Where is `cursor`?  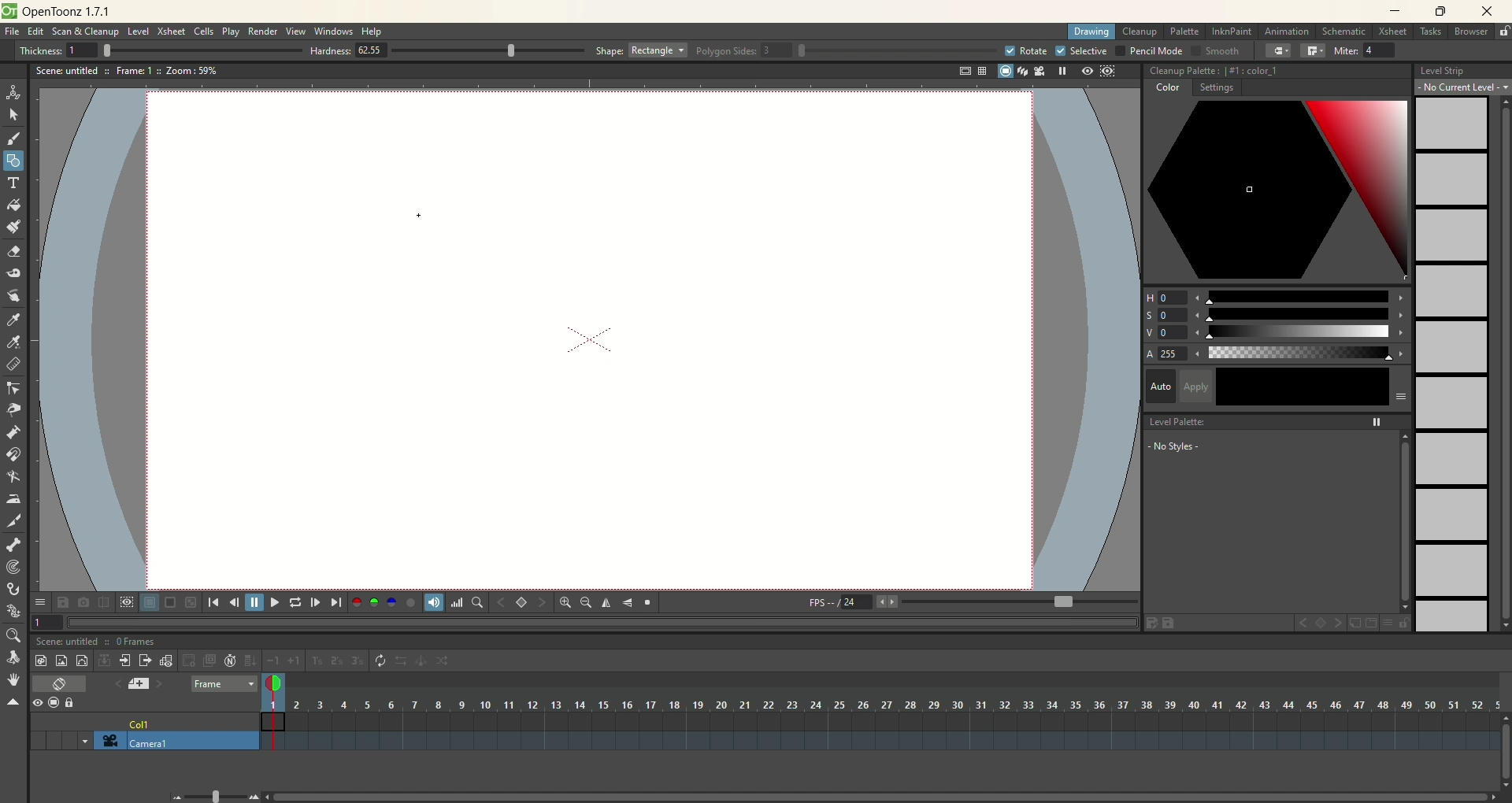
cursor is located at coordinates (415, 217).